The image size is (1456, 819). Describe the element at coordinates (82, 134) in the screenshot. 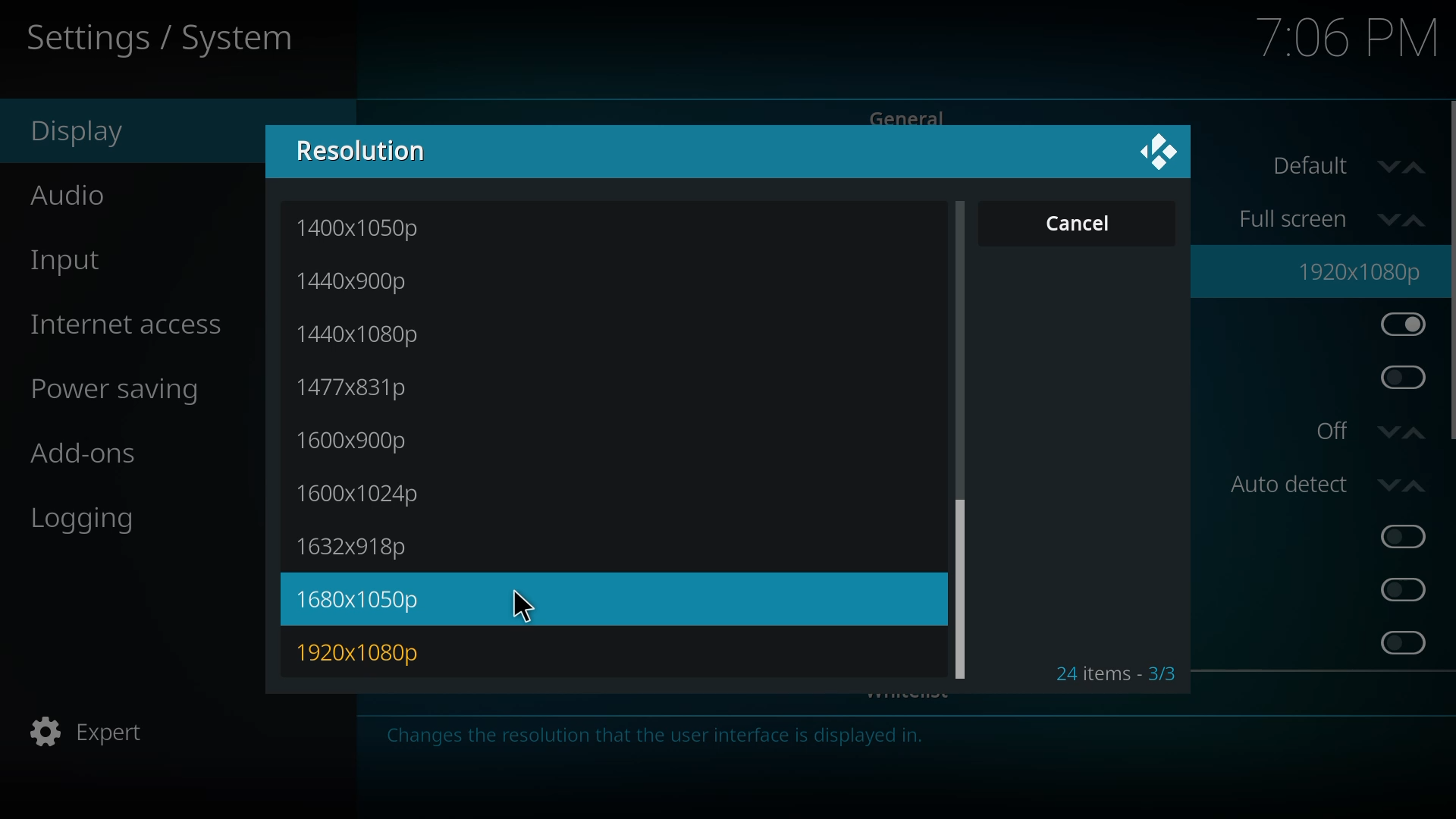

I see `display` at that location.